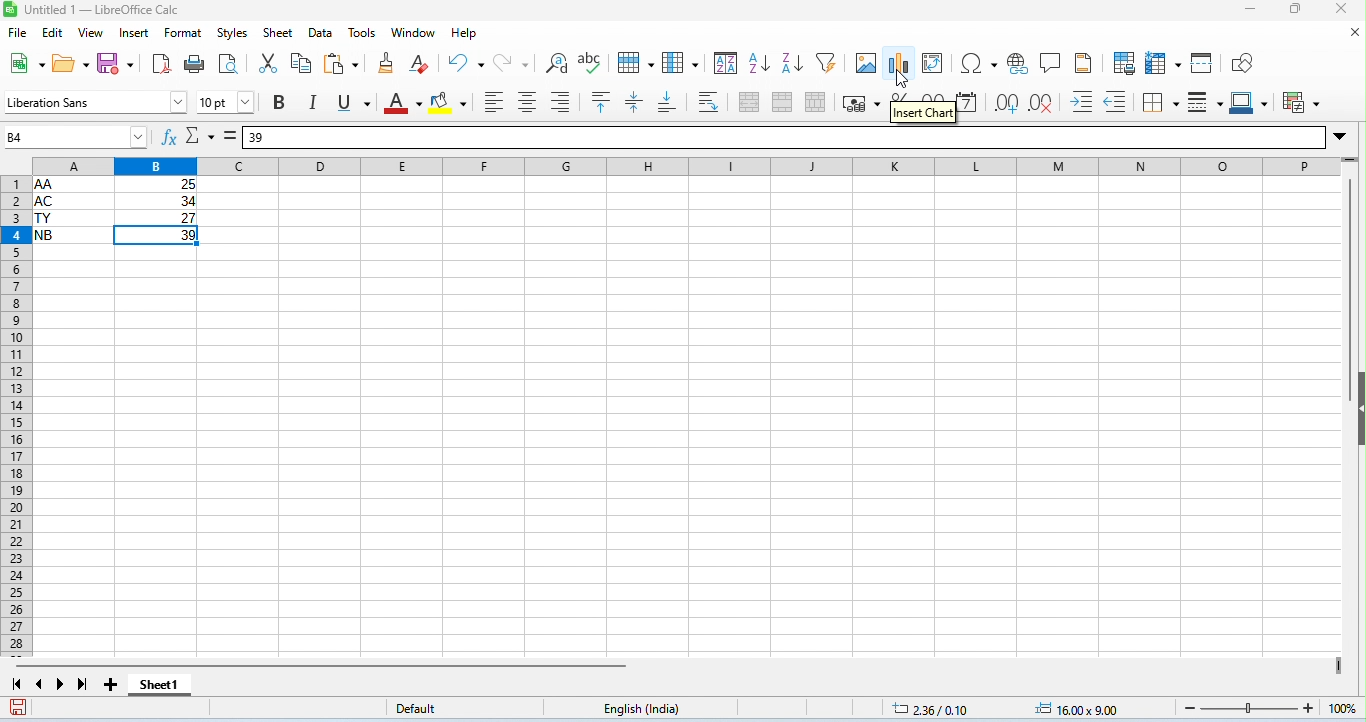 The width and height of the screenshot is (1366, 722). What do you see at coordinates (170, 138) in the screenshot?
I see `function wizard` at bounding box center [170, 138].